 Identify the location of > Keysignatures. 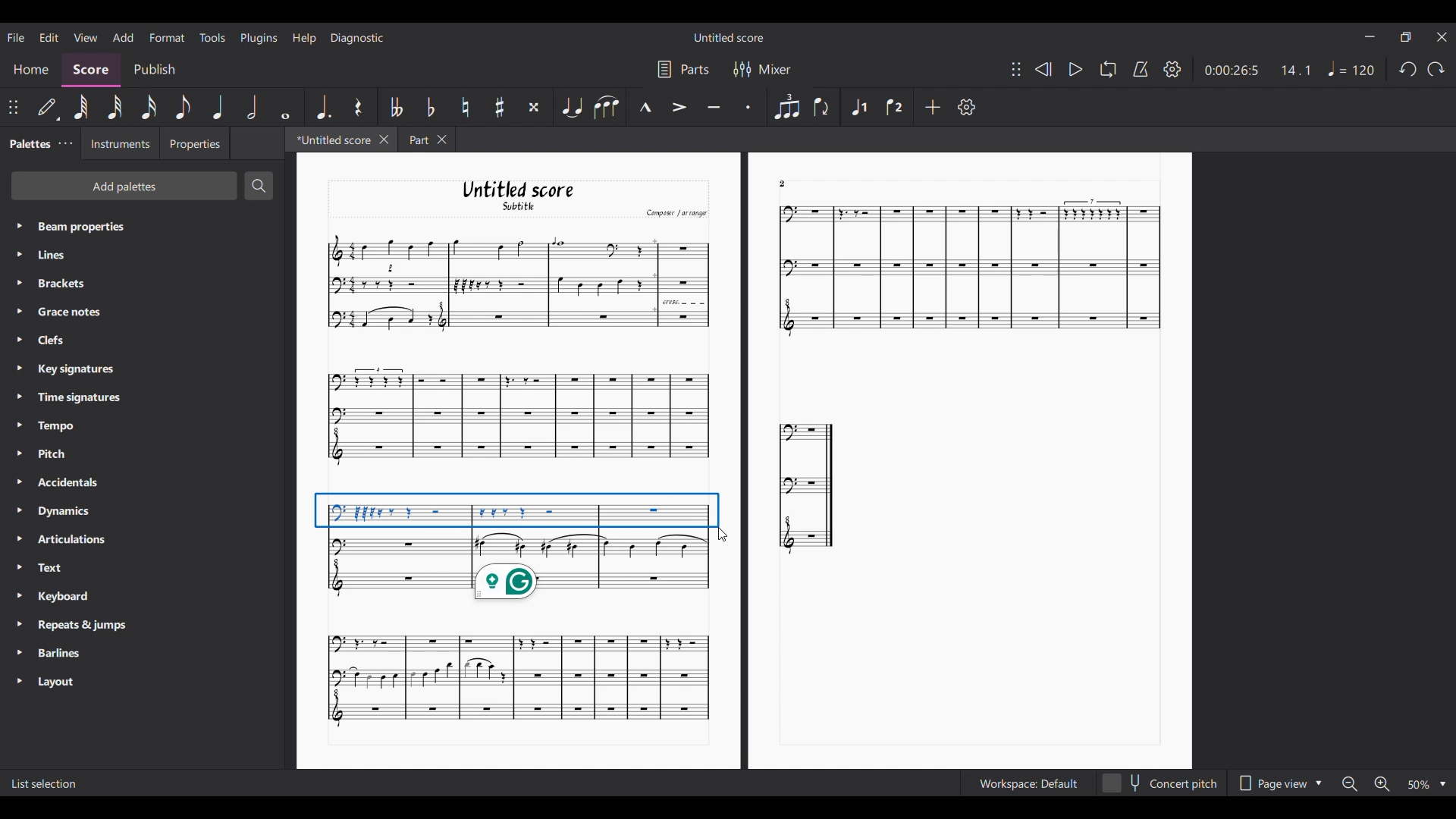
(67, 367).